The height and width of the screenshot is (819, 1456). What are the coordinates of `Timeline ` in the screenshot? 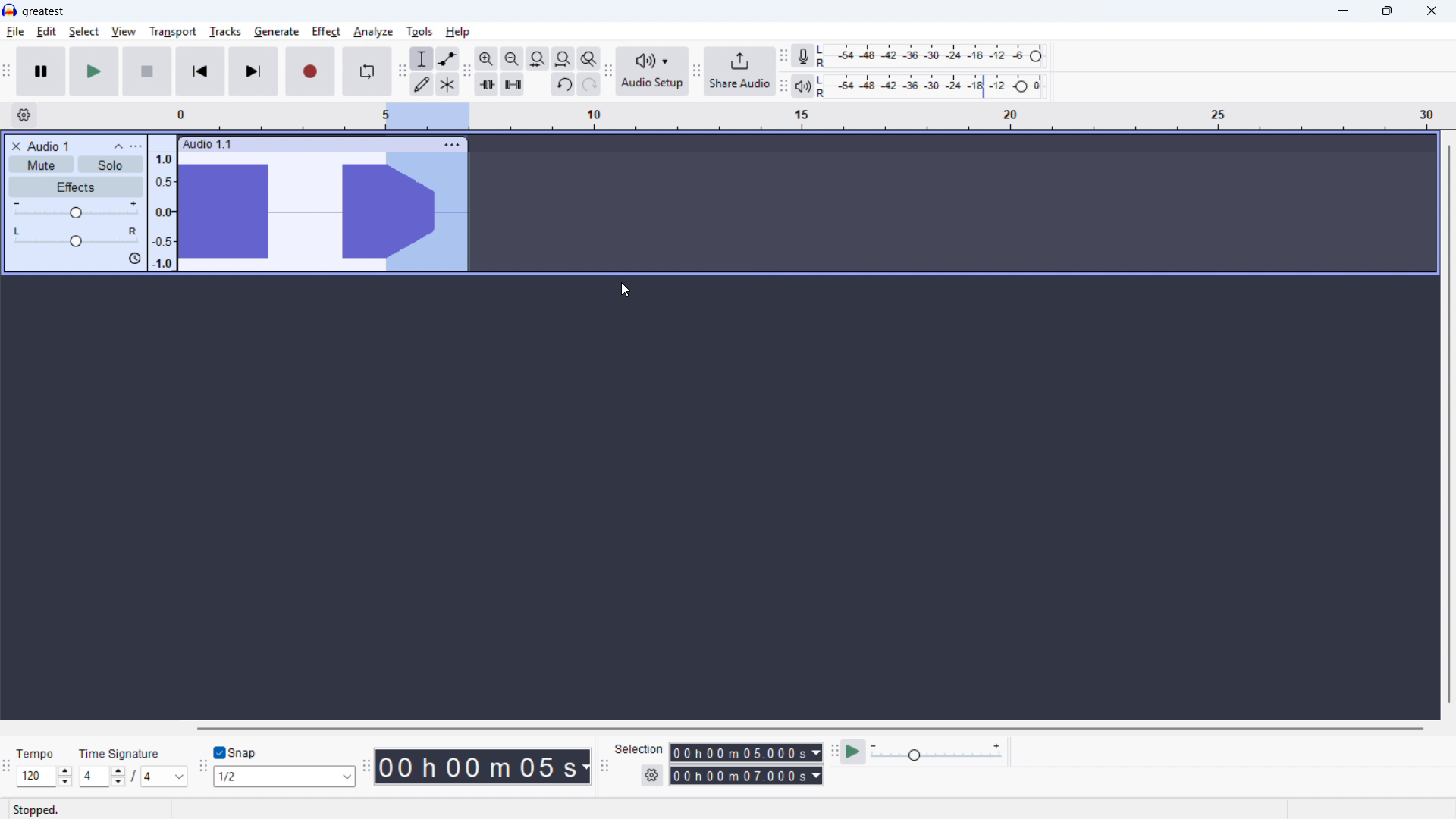 It's located at (808, 117).